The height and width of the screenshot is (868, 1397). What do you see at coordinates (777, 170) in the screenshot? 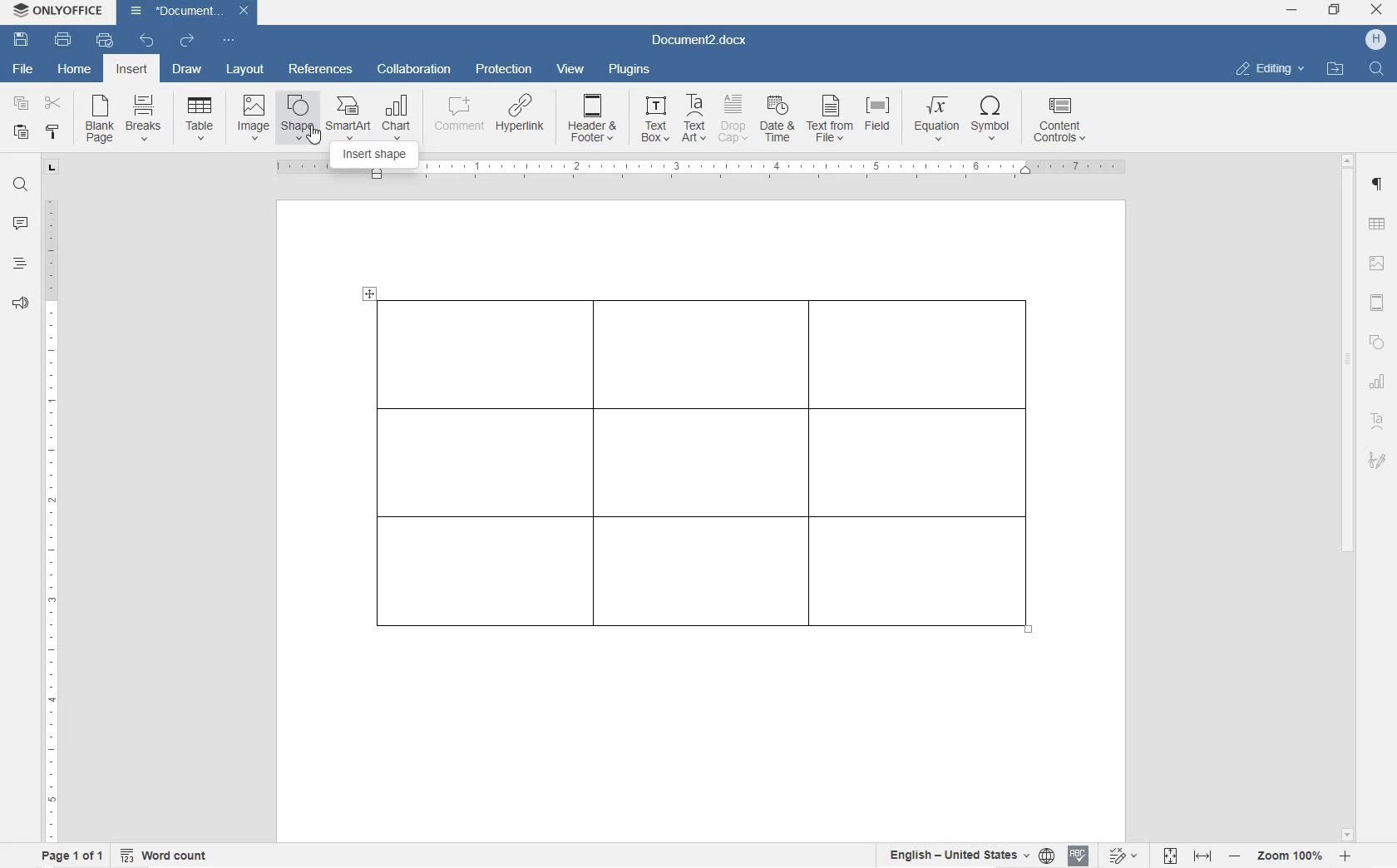
I see `ruler` at bounding box center [777, 170].